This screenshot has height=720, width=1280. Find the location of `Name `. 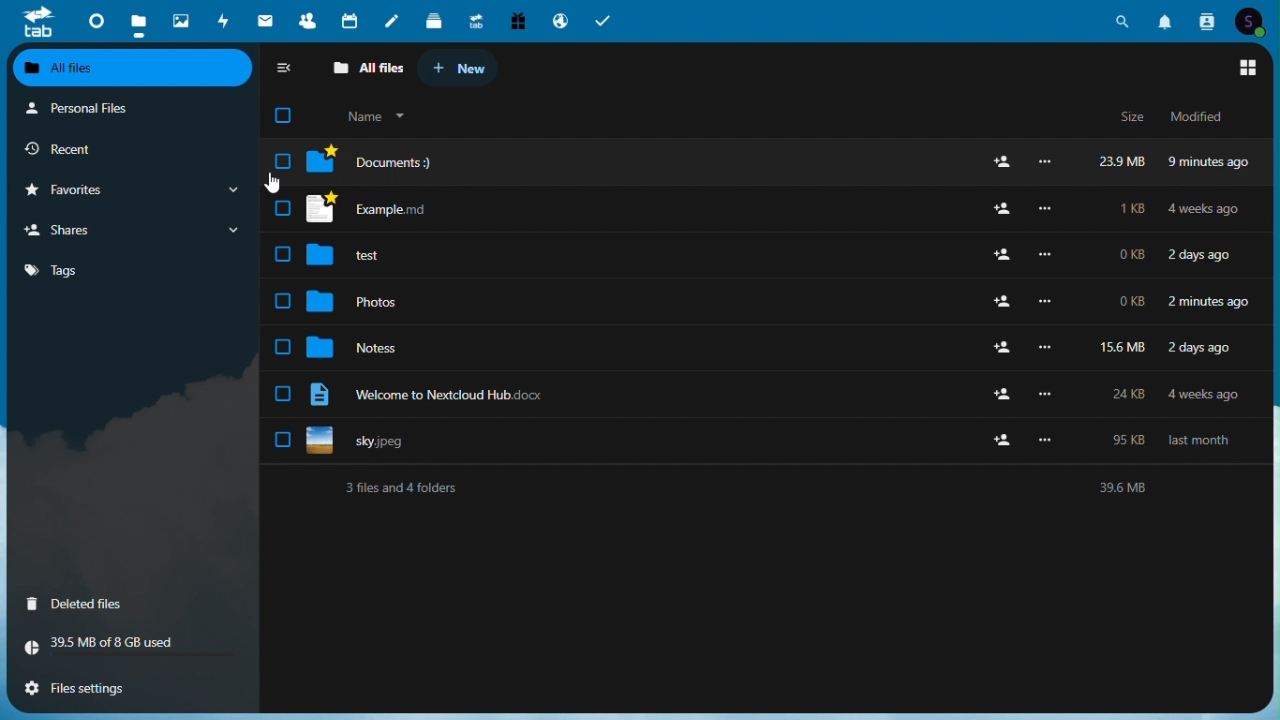

Name  is located at coordinates (378, 116).